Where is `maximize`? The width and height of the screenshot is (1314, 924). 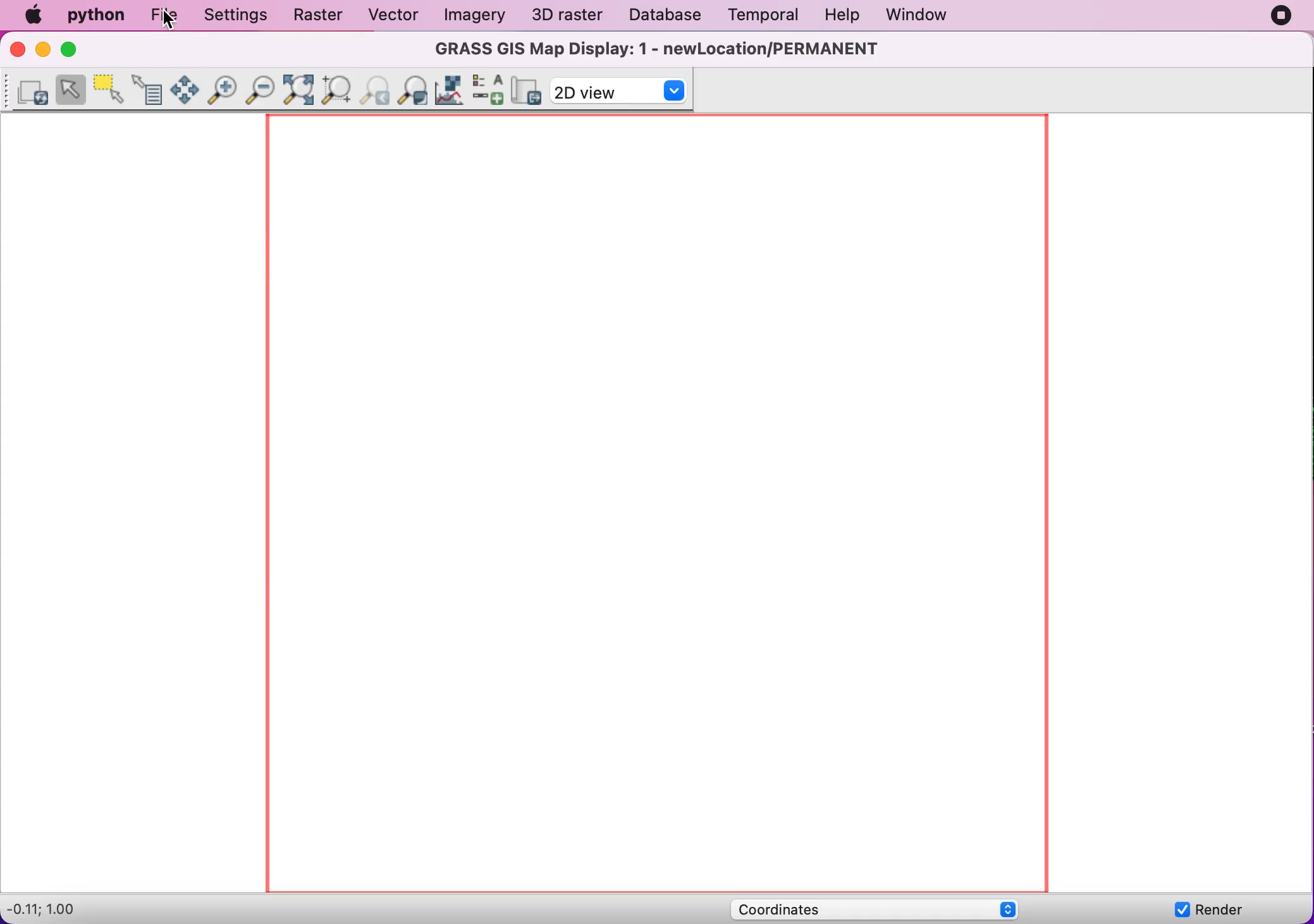
maximize is located at coordinates (71, 51).